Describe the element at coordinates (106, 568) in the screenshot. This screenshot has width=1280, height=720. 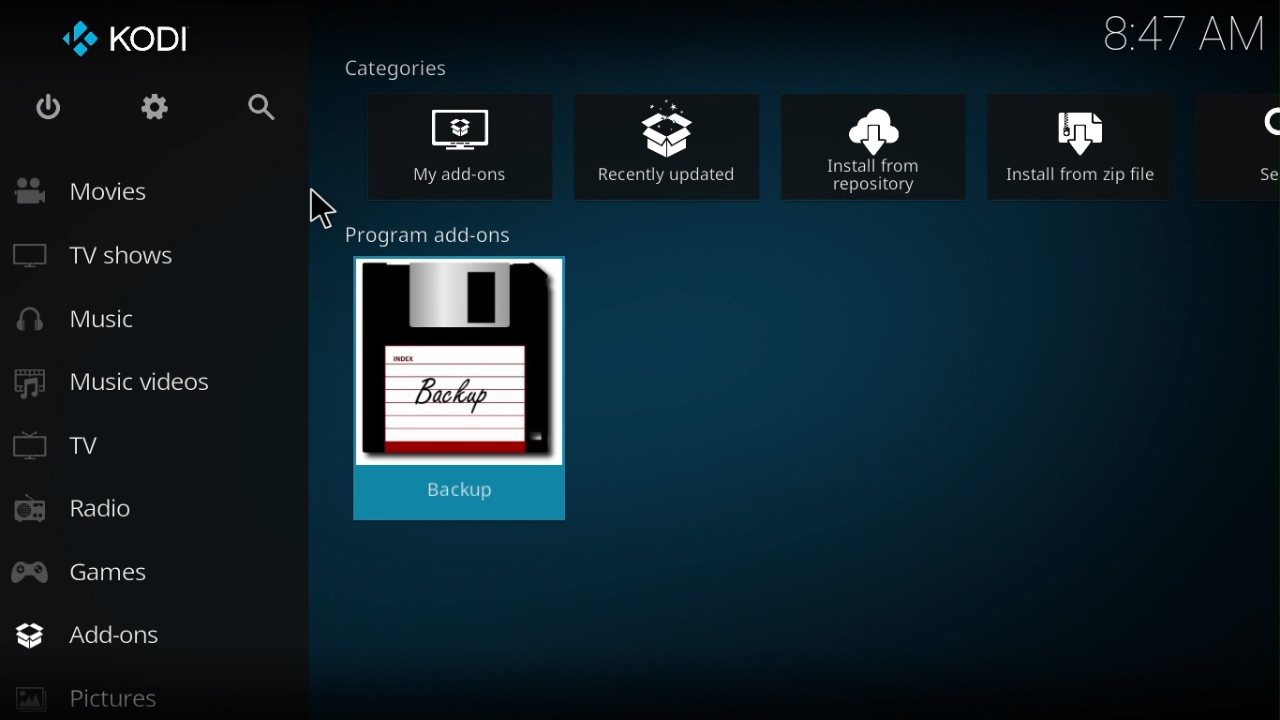
I see `Games` at that location.